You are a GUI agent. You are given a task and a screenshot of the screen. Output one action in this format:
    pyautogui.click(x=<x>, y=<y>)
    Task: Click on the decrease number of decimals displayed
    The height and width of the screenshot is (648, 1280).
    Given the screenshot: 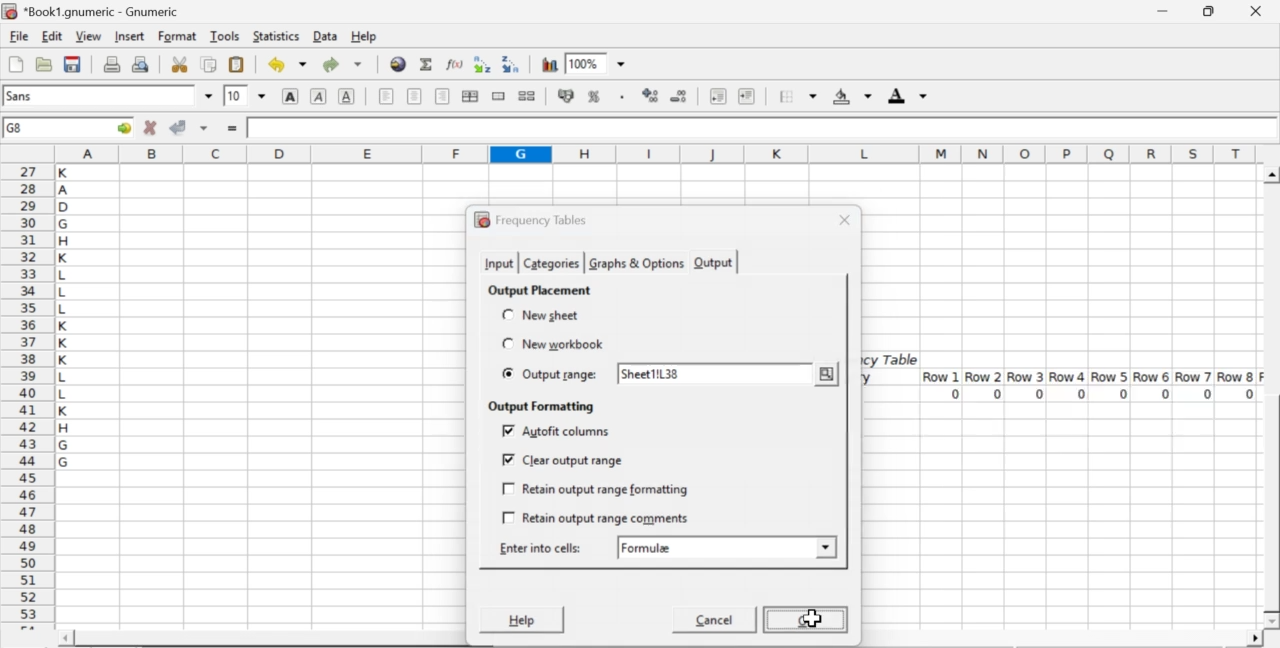 What is the action you would take?
    pyautogui.click(x=650, y=96)
    